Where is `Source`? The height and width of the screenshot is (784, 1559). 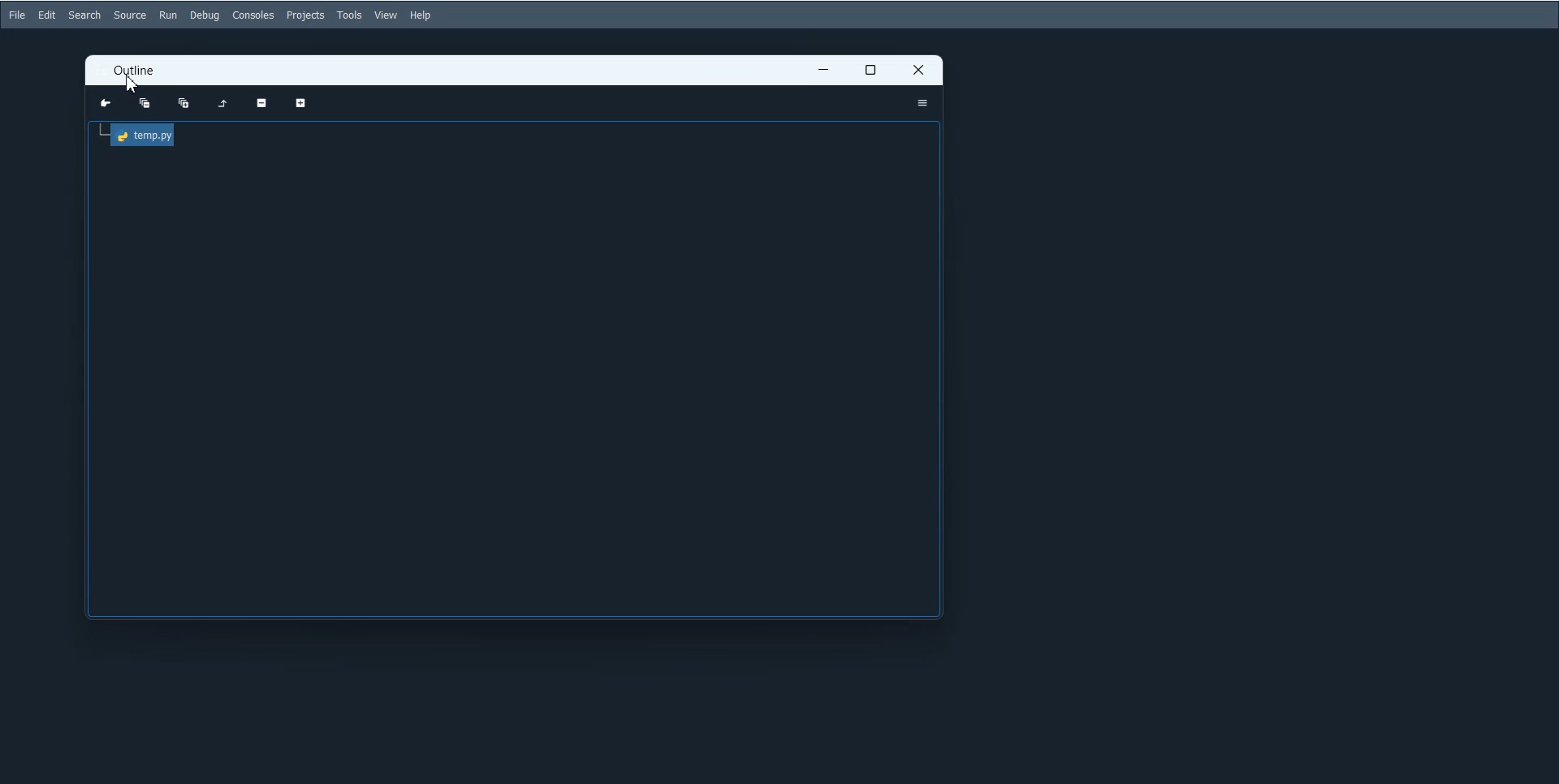 Source is located at coordinates (130, 15).